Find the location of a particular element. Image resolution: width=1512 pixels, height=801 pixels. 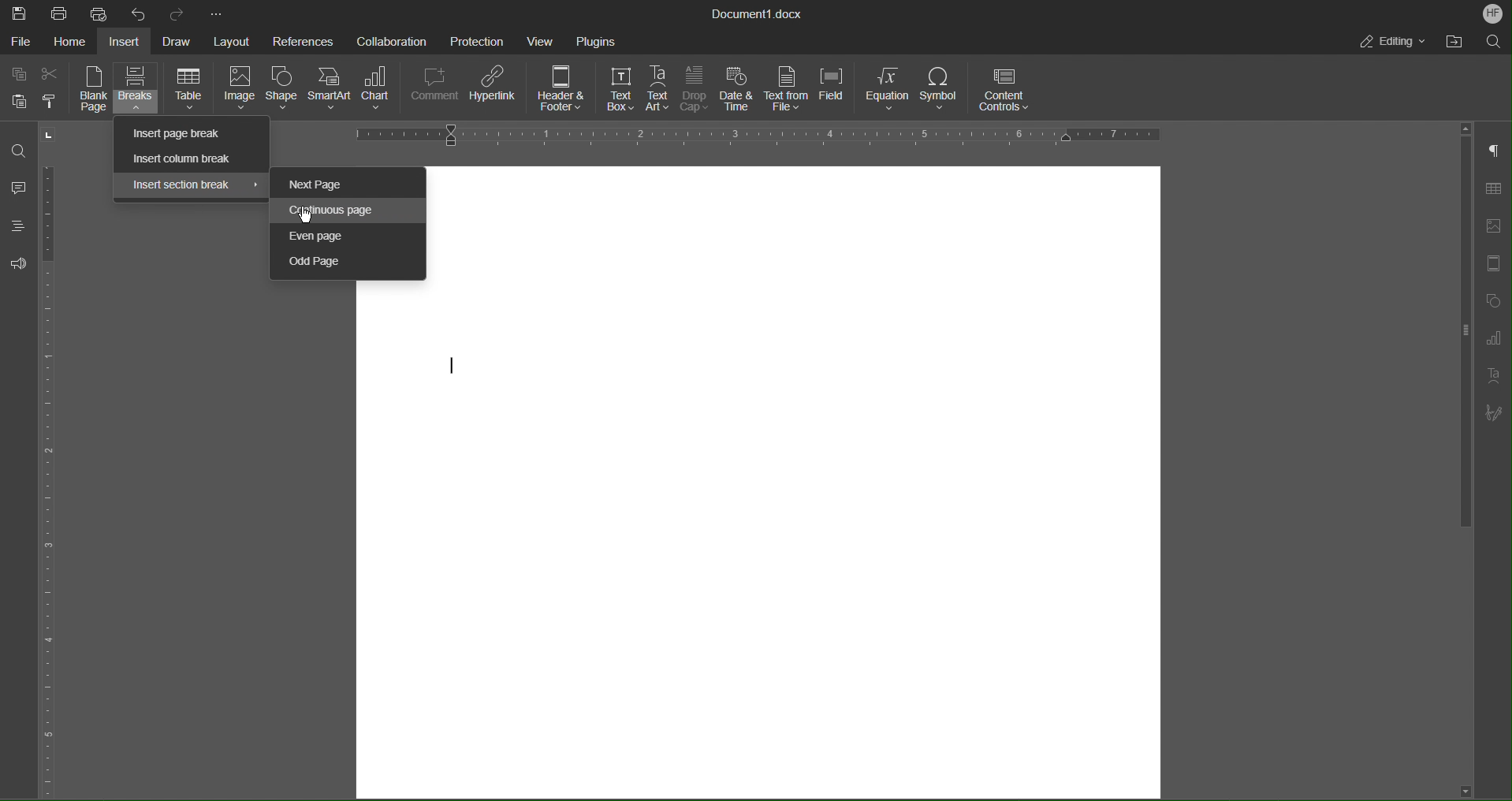

Even page is located at coordinates (315, 234).